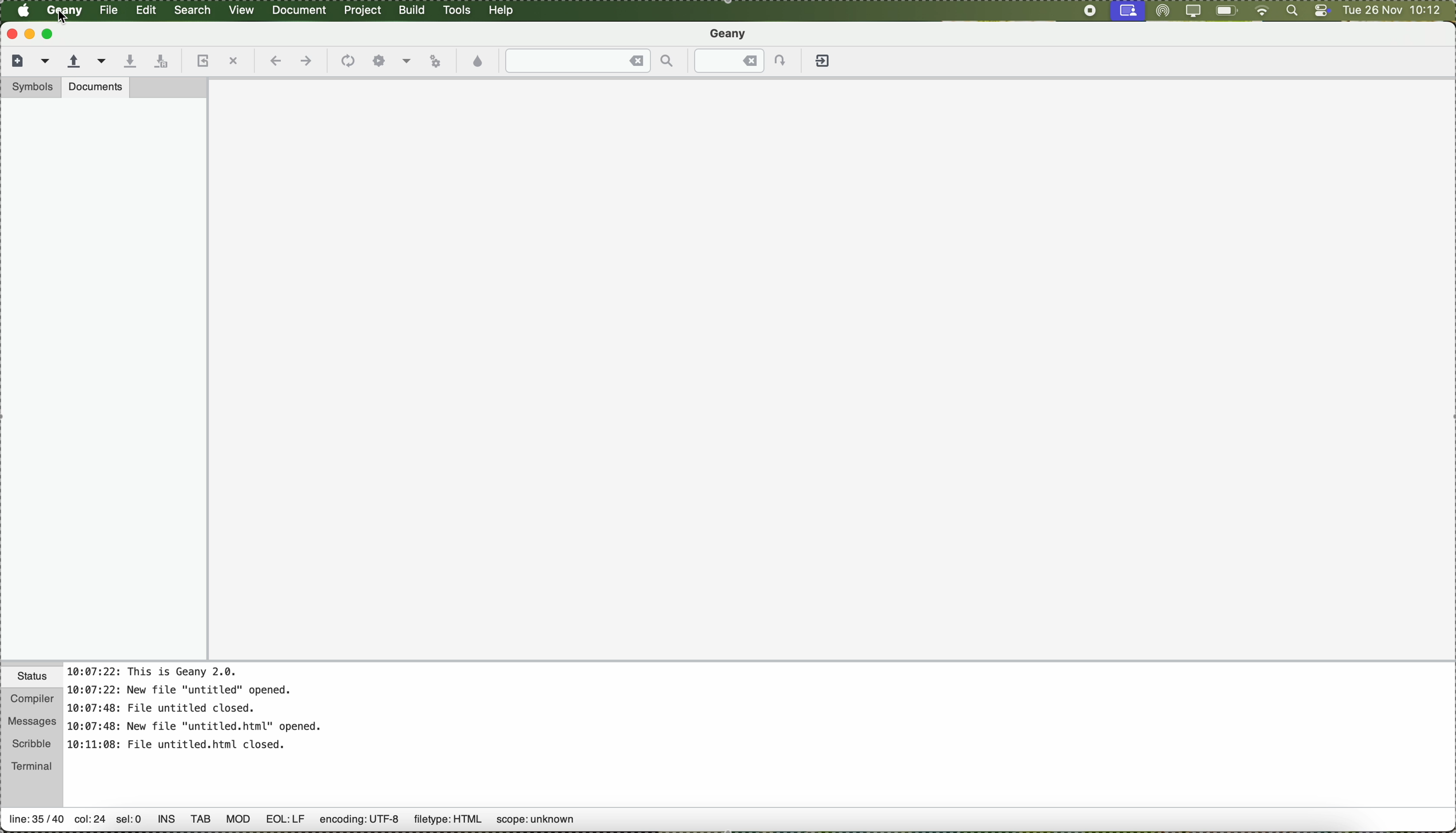  Describe the element at coordinates (148, 11) in the screenshot. I see `edit` at that location.